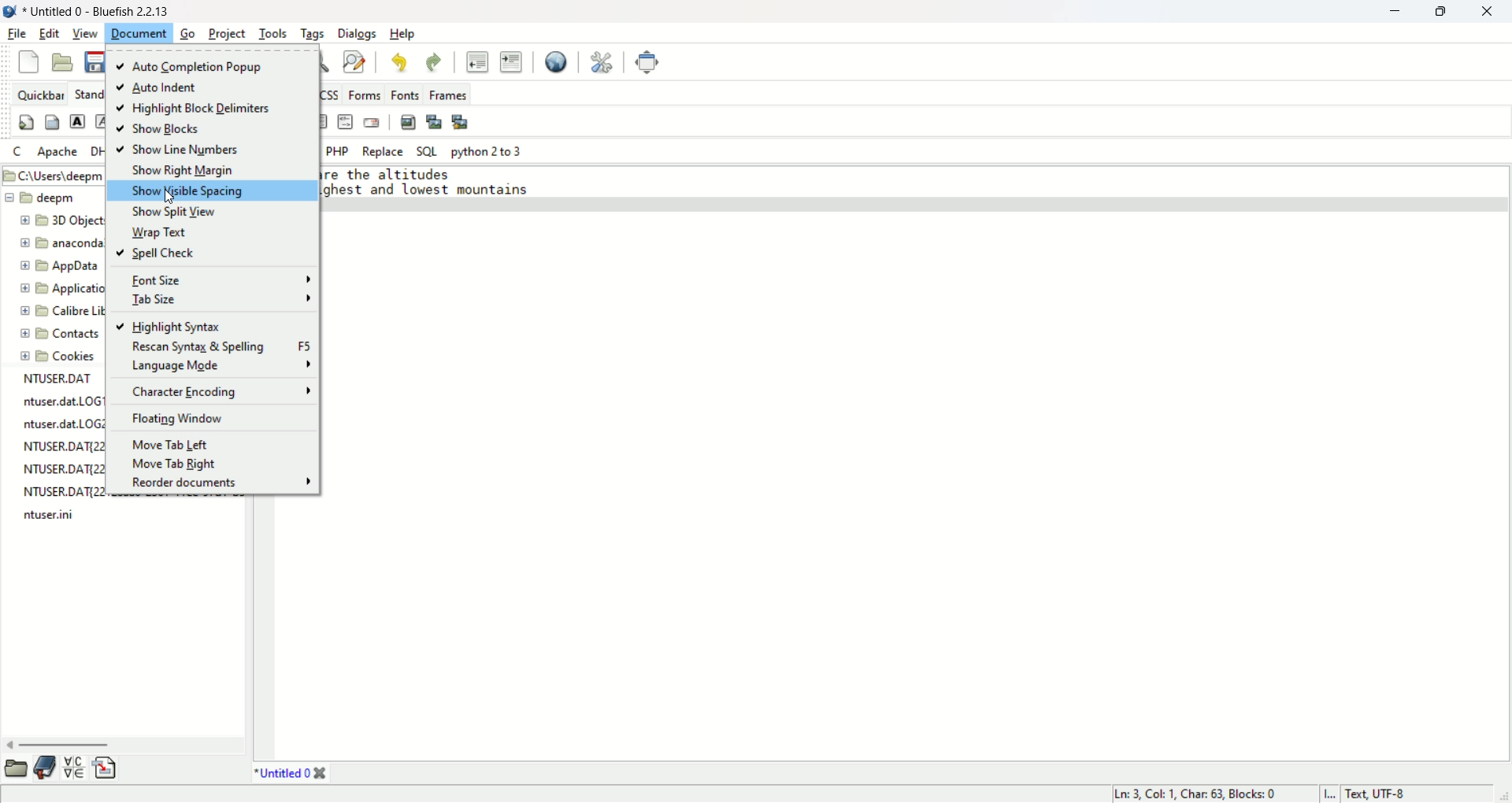 The image size is (1512, 803). What do you see at coordinates (460, 120) in the screenshot?
I see `multi-thumbnail` at bounding box center [460, 120].